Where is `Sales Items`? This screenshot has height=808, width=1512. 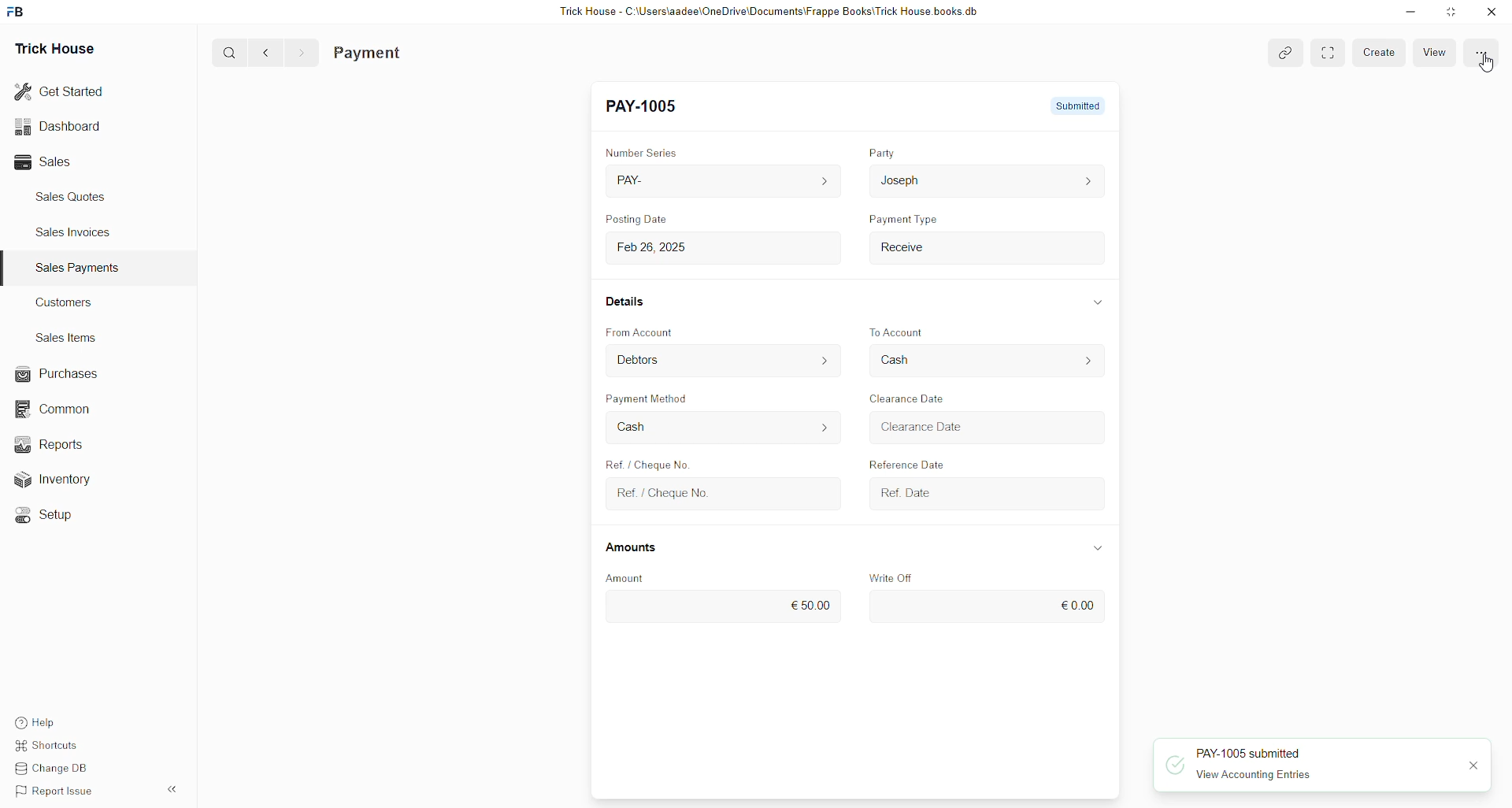
Sales Items is located at coordinates (67, 338).